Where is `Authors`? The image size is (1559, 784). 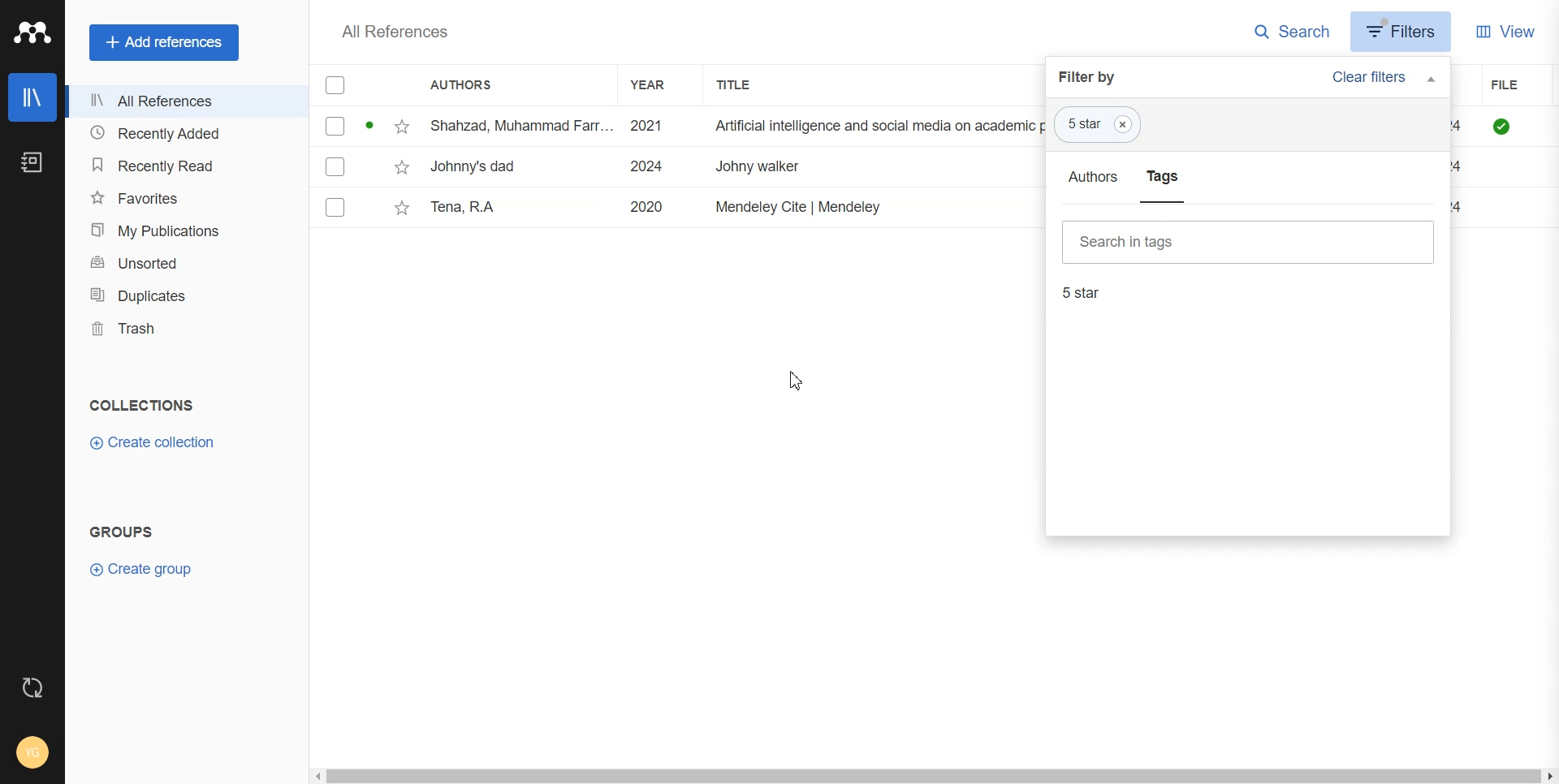 Authors is located at coordinates (1092, 175).